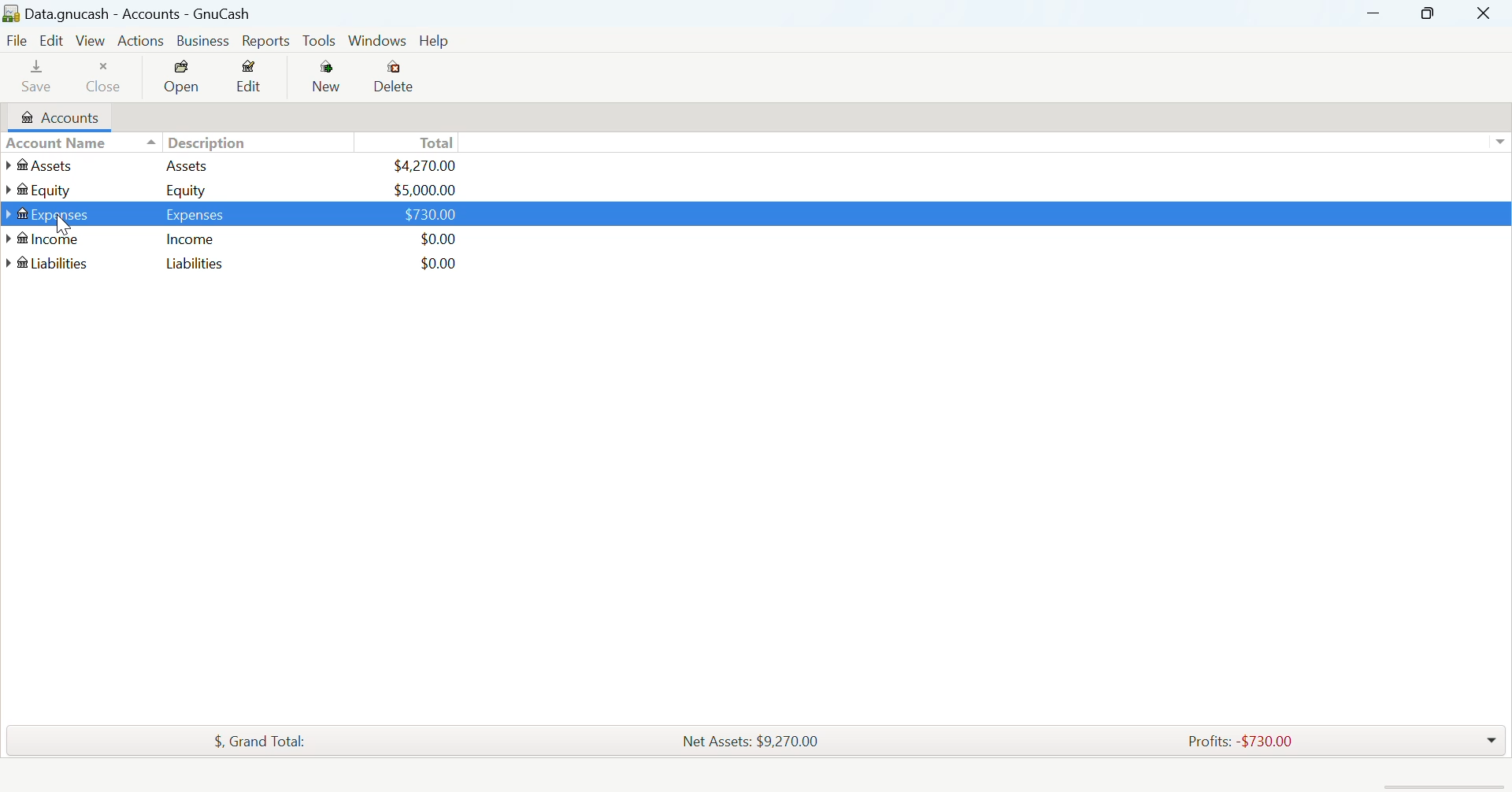  What do you see at coordinates (238, 166) in the screenshot?
I see `Assets Account` at bounding box center [238, 166].